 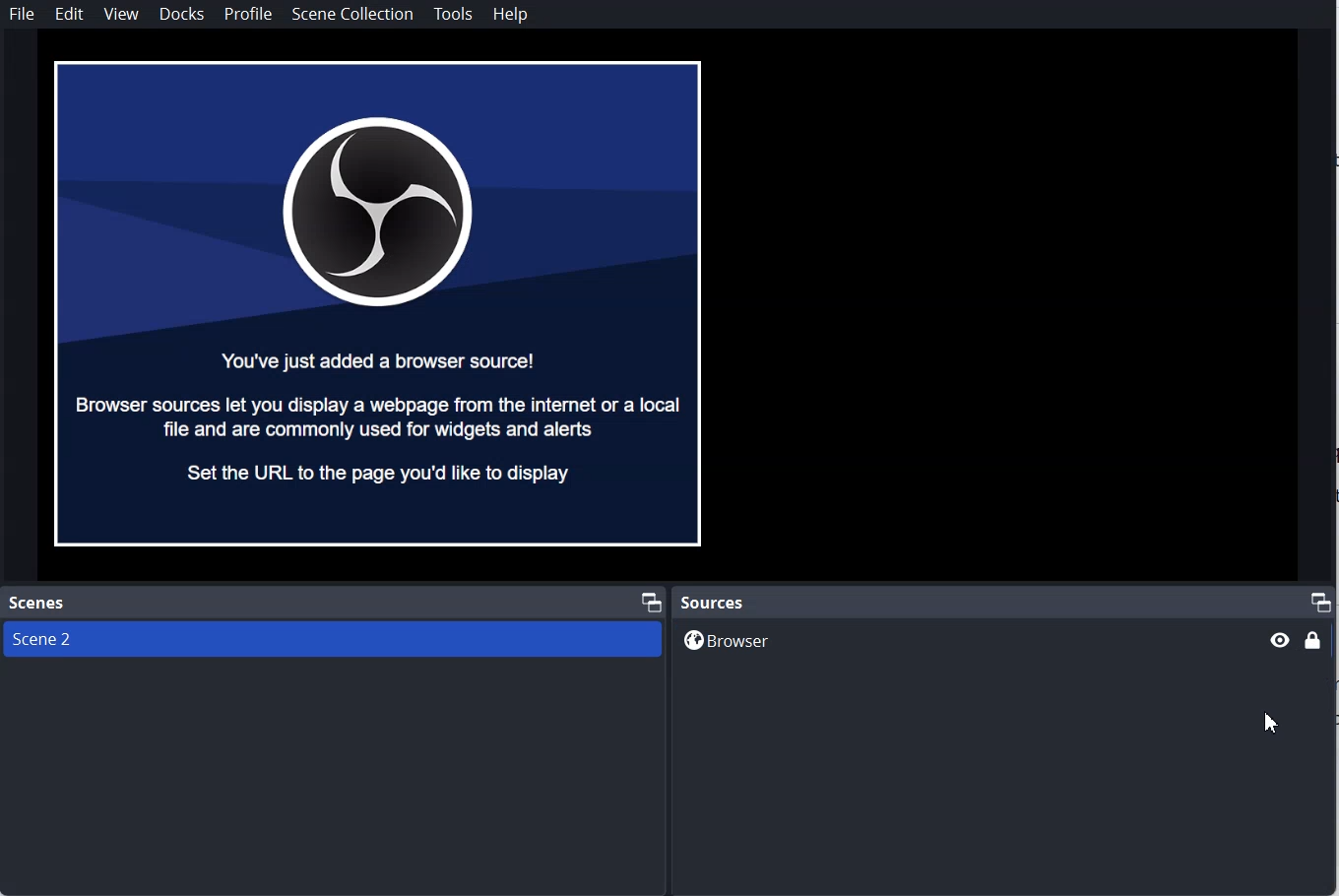 What do you see at coordinates (1321, 600) in the screenshot?
I see `Maximize` at bounding box center [1321, 600].